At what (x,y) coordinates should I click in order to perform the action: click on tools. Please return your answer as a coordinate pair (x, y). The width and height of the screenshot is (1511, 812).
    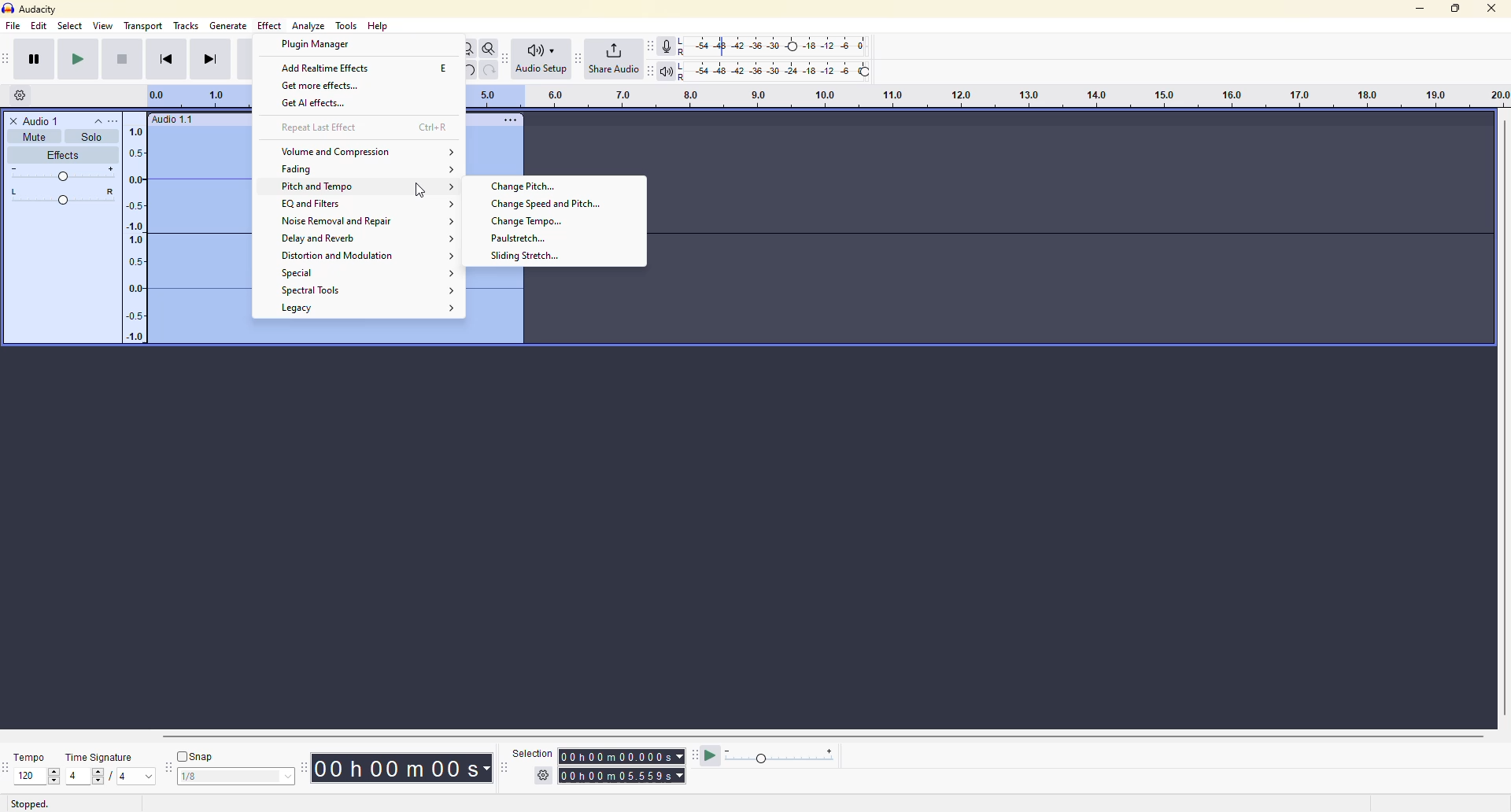
    Looking at the image, I should click on (345, 25).